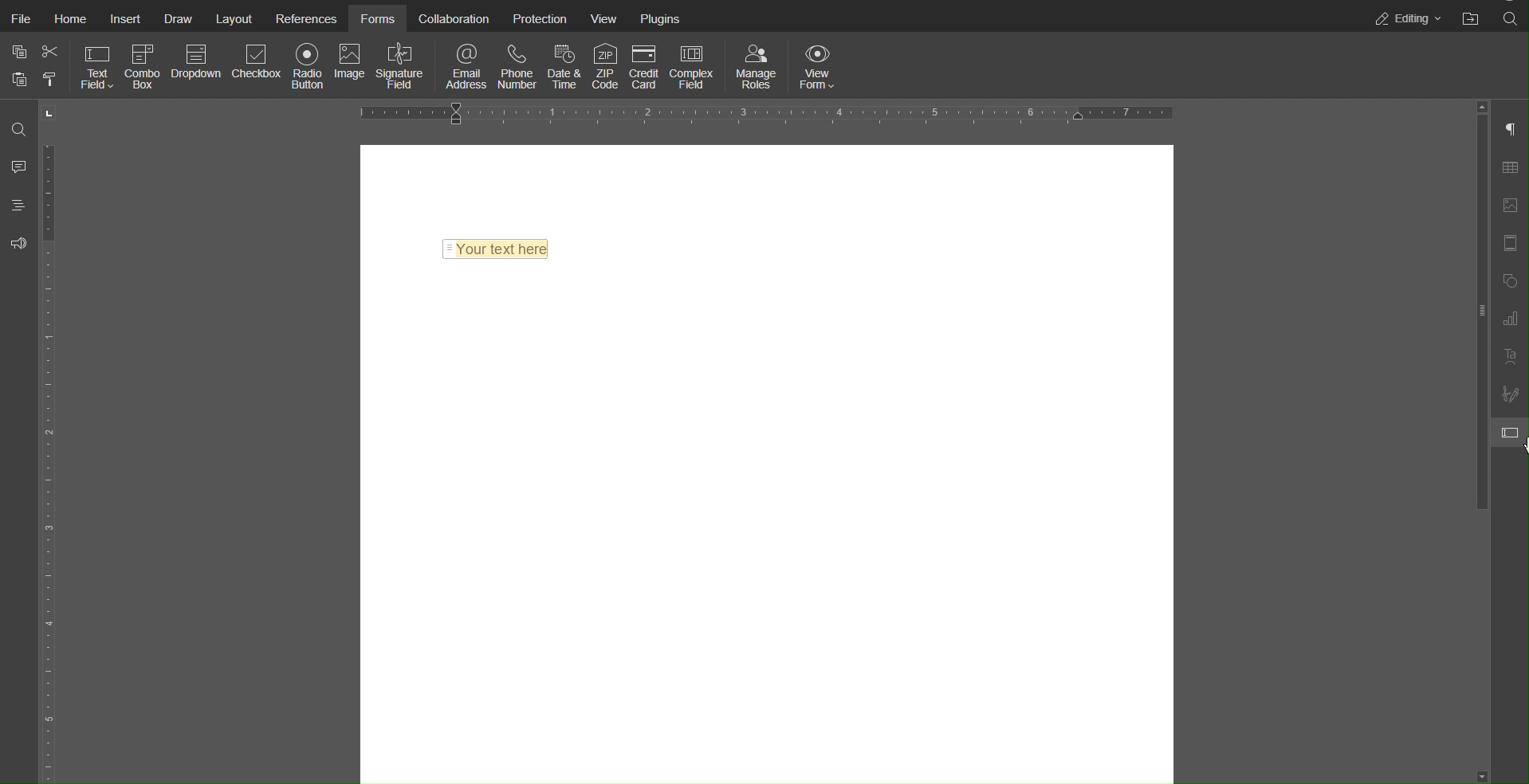 The image size is (1529, 784). I want to click on Layout, so click(233, 20).